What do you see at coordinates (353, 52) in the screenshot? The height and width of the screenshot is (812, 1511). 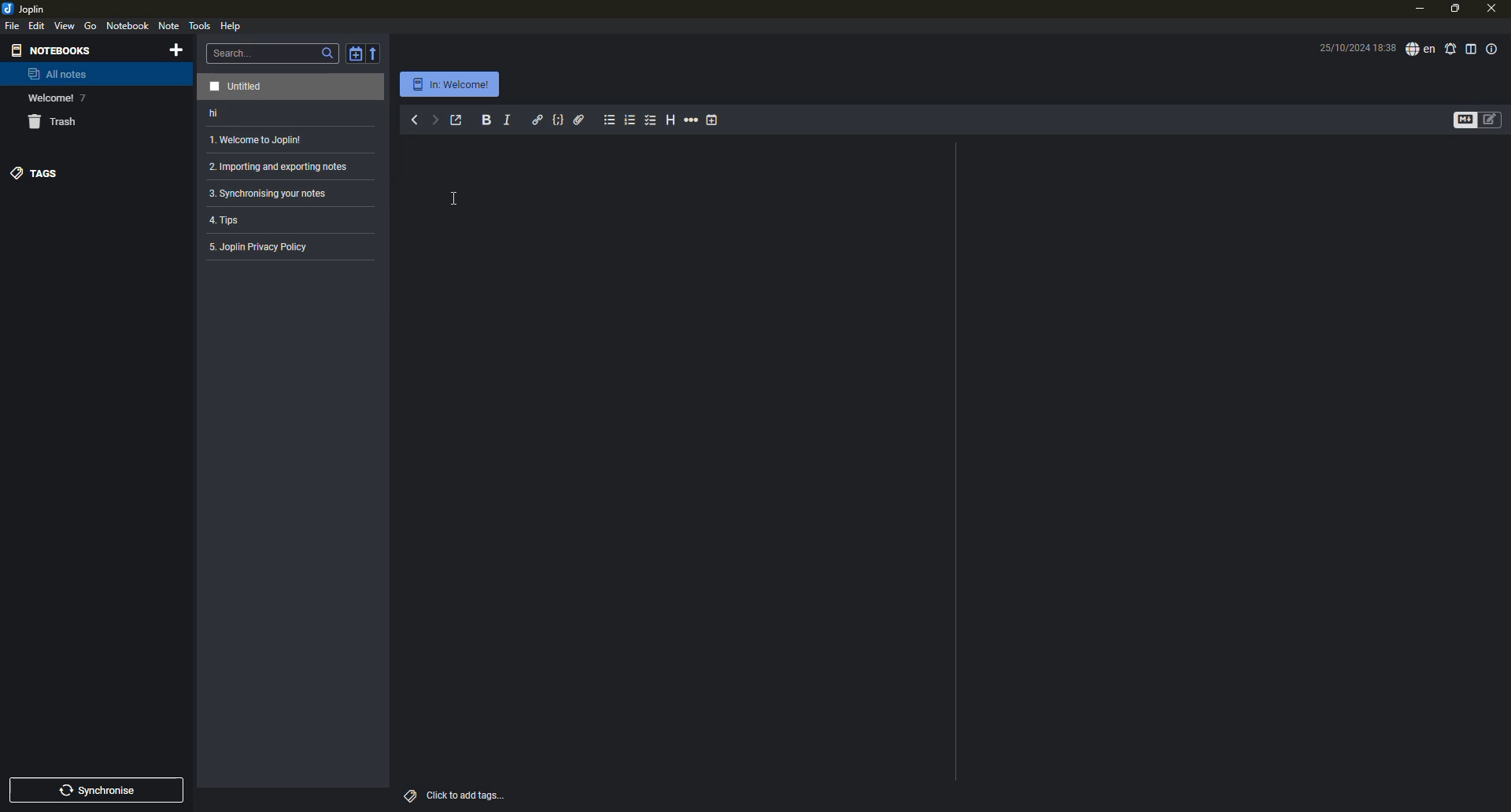 I see `toggle sort order field` at bounding box center [353, 52].